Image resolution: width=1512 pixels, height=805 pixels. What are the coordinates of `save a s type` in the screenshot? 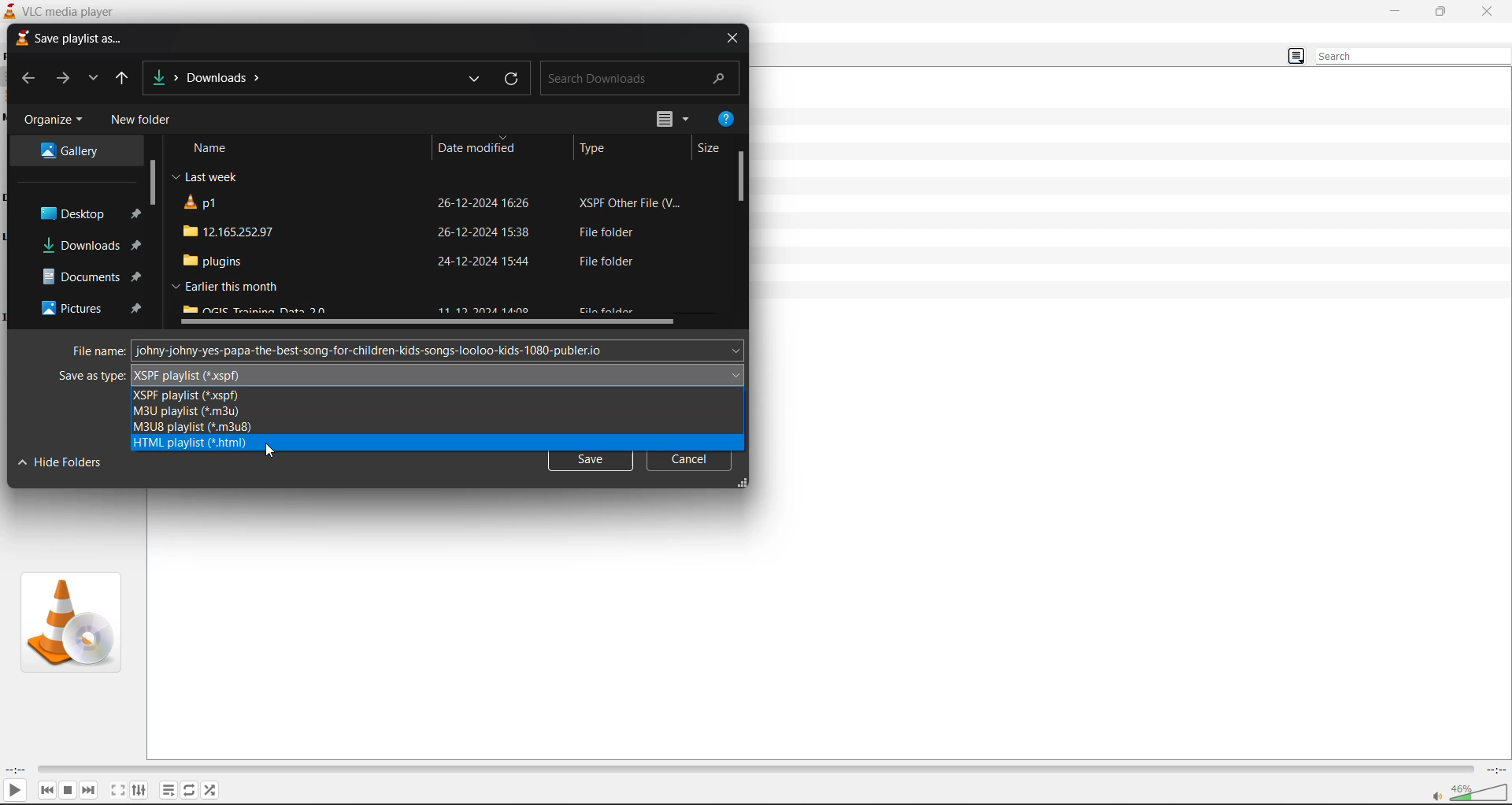 It's located at (90, 377).